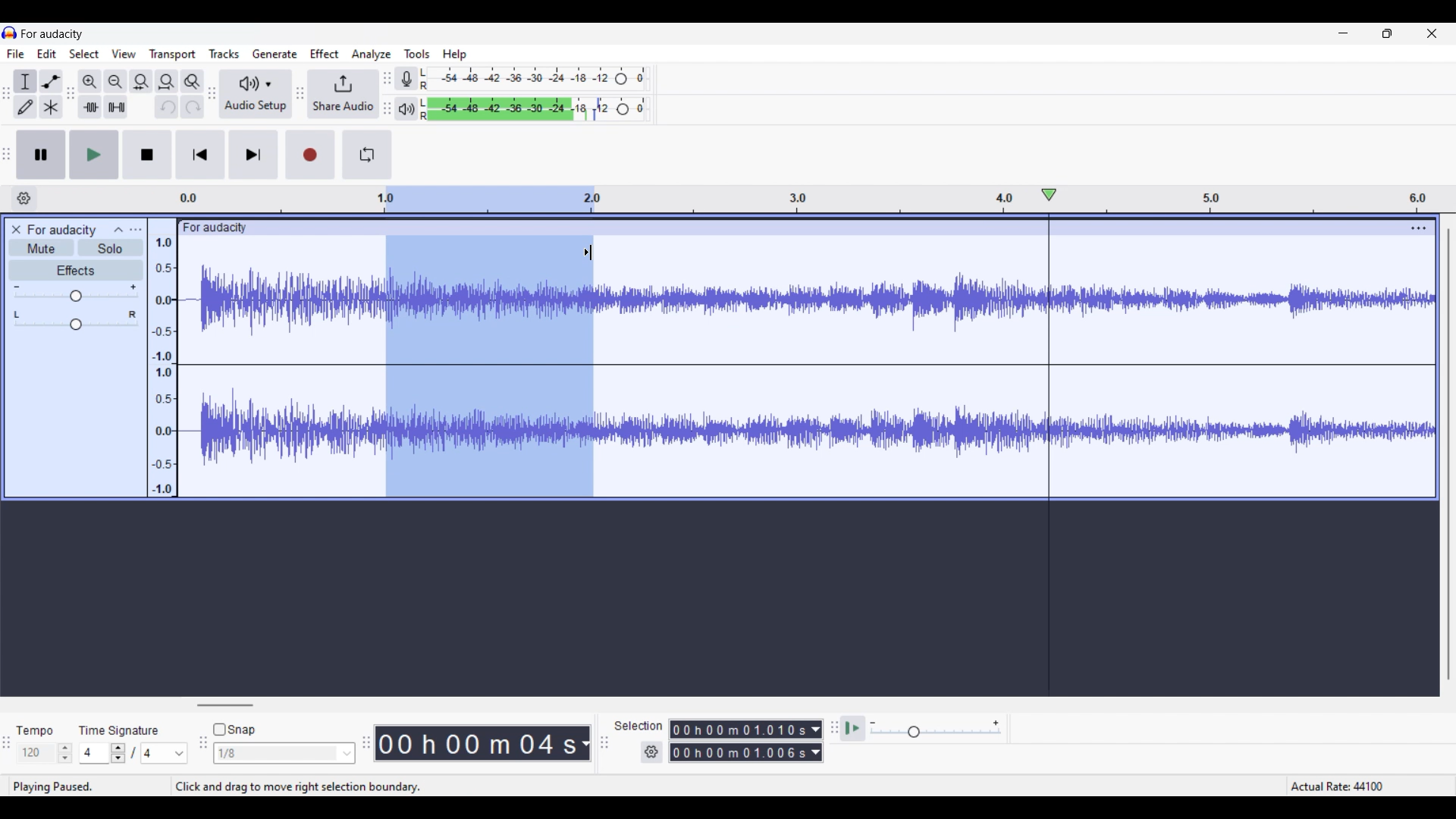  Describe the element at coordinates (404, 78) in the screenshot. I see `Record meter` at that location.